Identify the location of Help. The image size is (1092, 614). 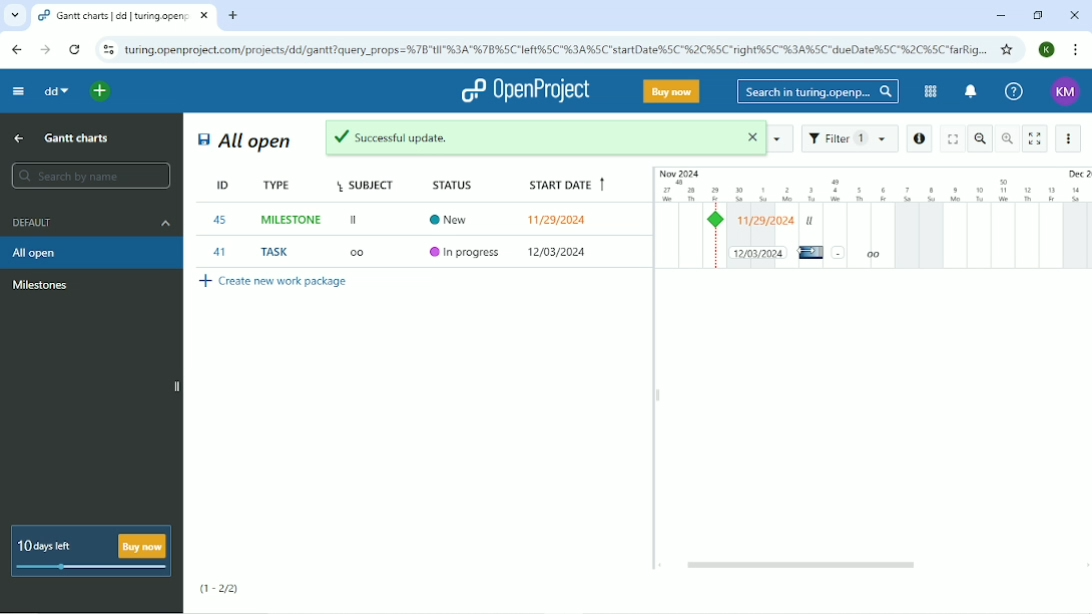
(1012, 90).